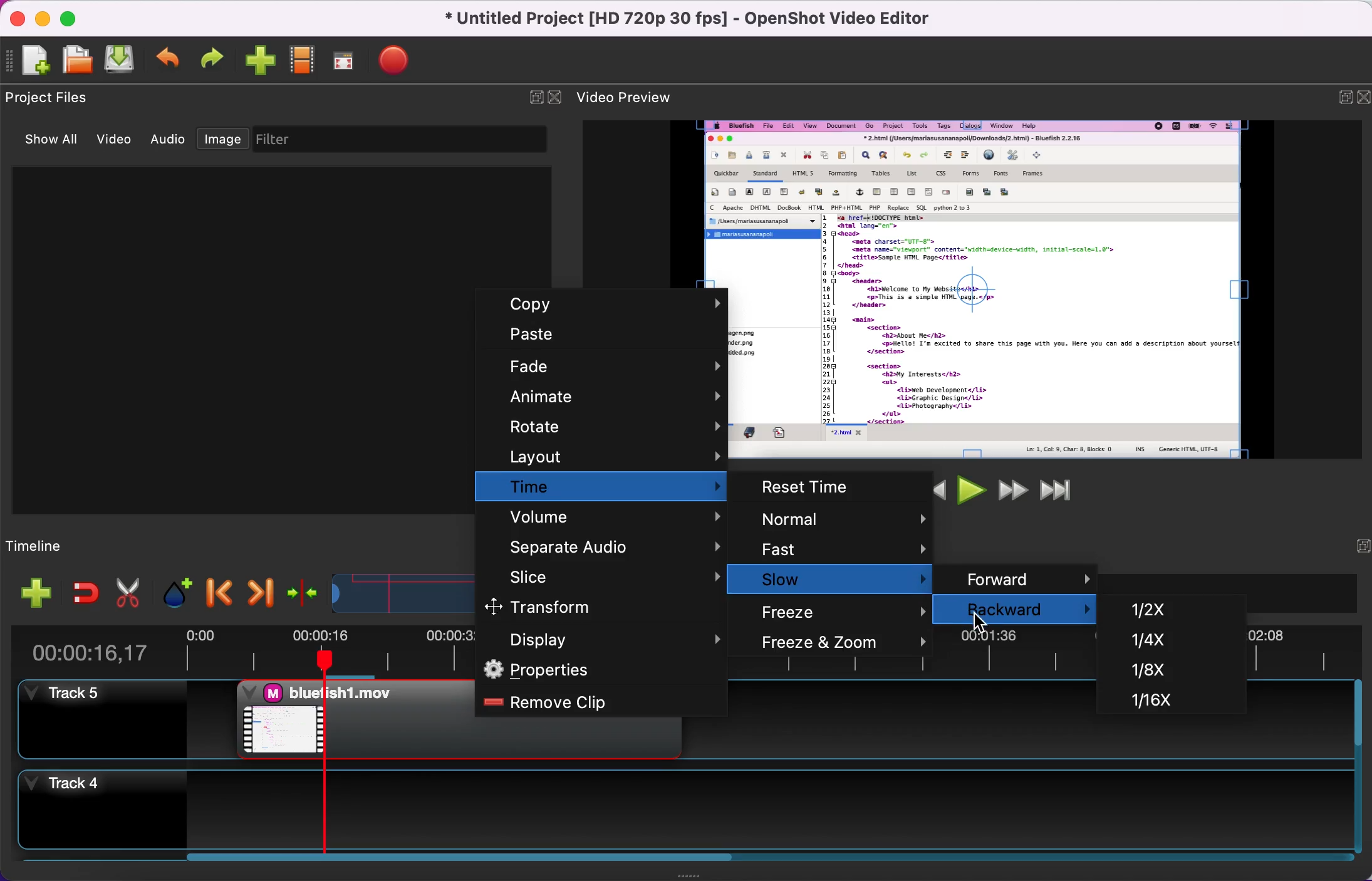  Describe the element at coordinates (402, 59) in the screenshot. I see `export video` at that location.